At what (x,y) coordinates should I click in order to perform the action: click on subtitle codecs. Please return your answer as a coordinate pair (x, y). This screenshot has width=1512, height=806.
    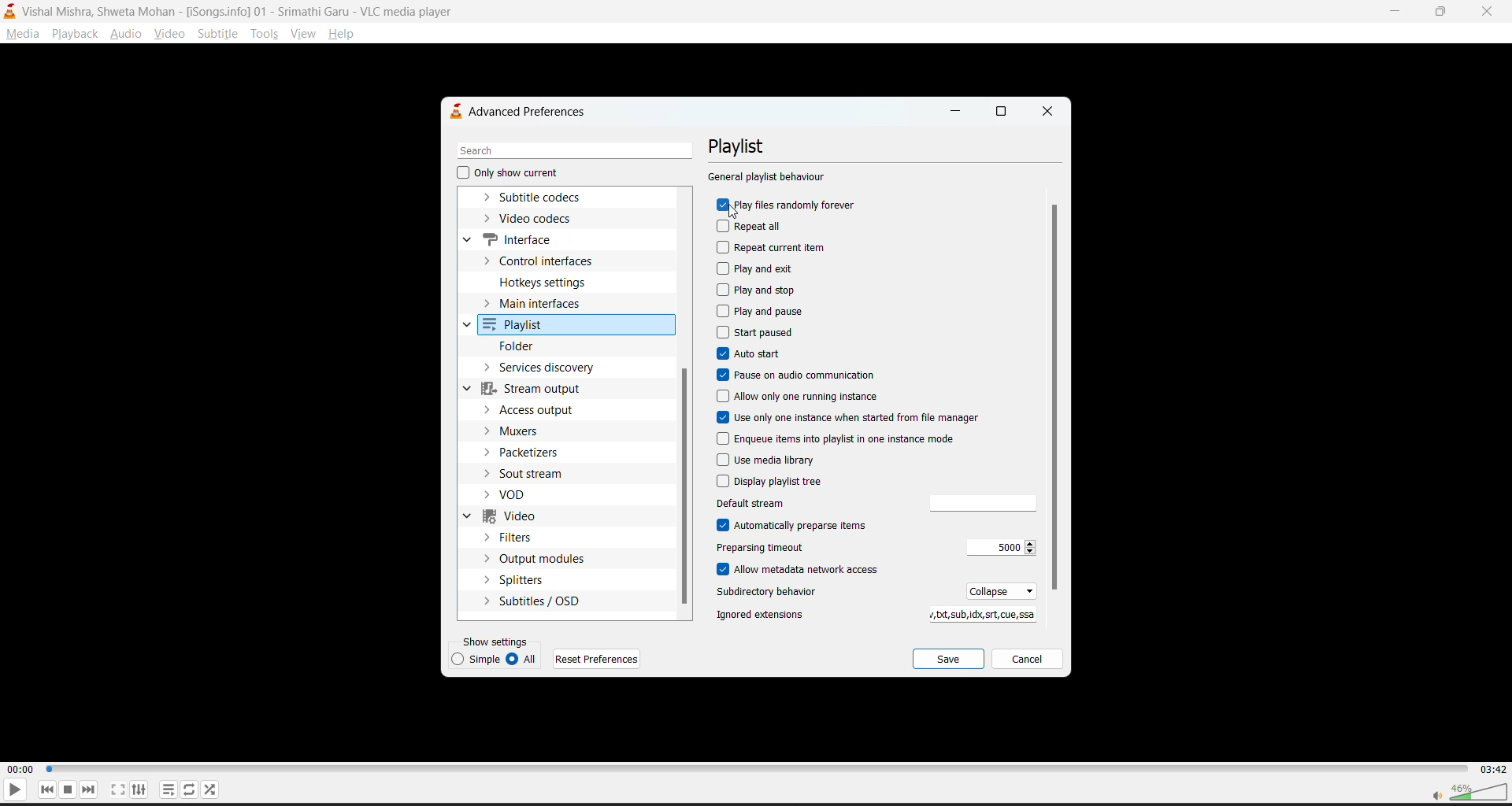
    Looking at the image, I should click on (543, 198).